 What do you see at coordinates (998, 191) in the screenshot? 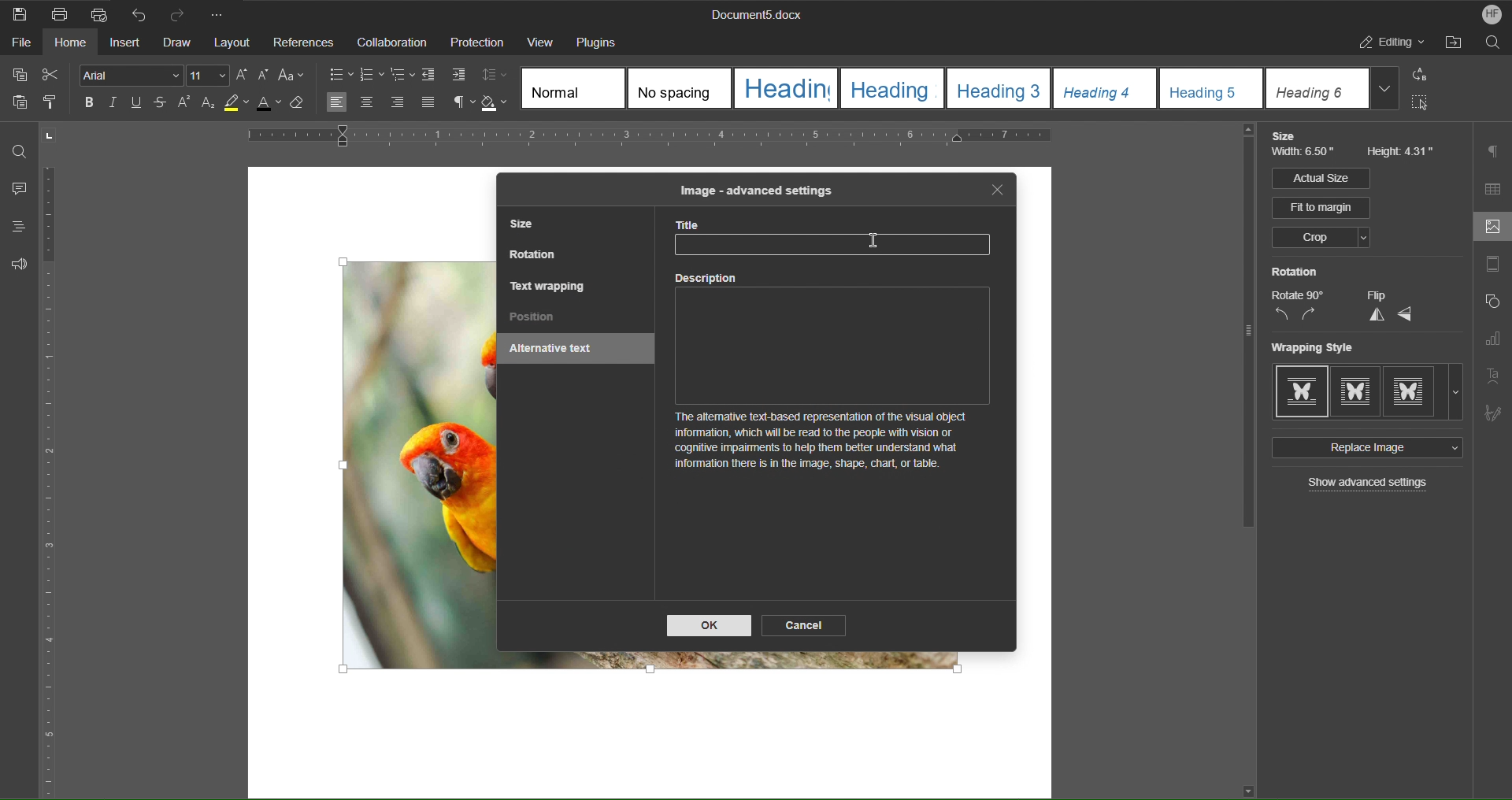
I see `Close` at bounding box center [998, 191].